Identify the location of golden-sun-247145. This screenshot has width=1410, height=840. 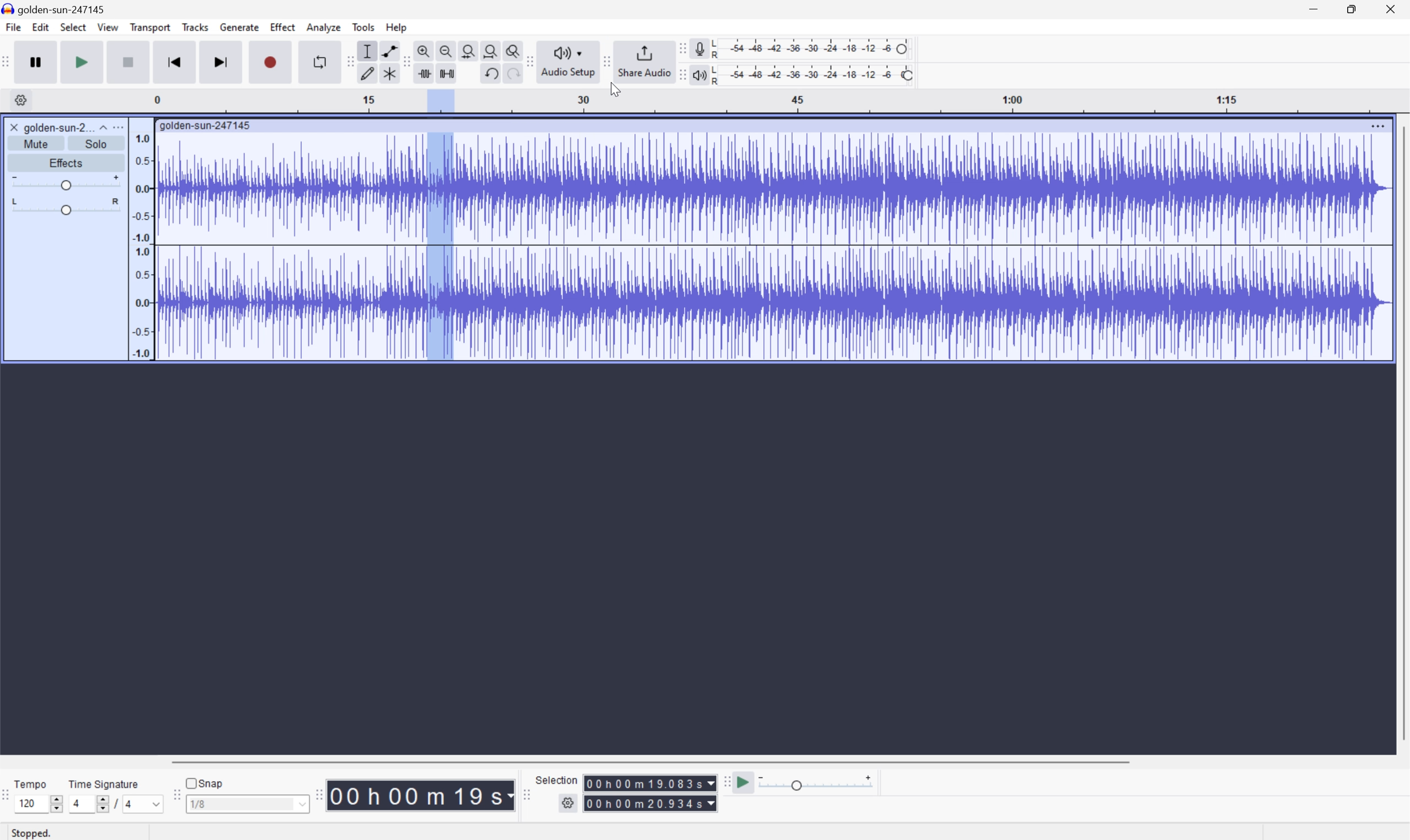
(206, 125).